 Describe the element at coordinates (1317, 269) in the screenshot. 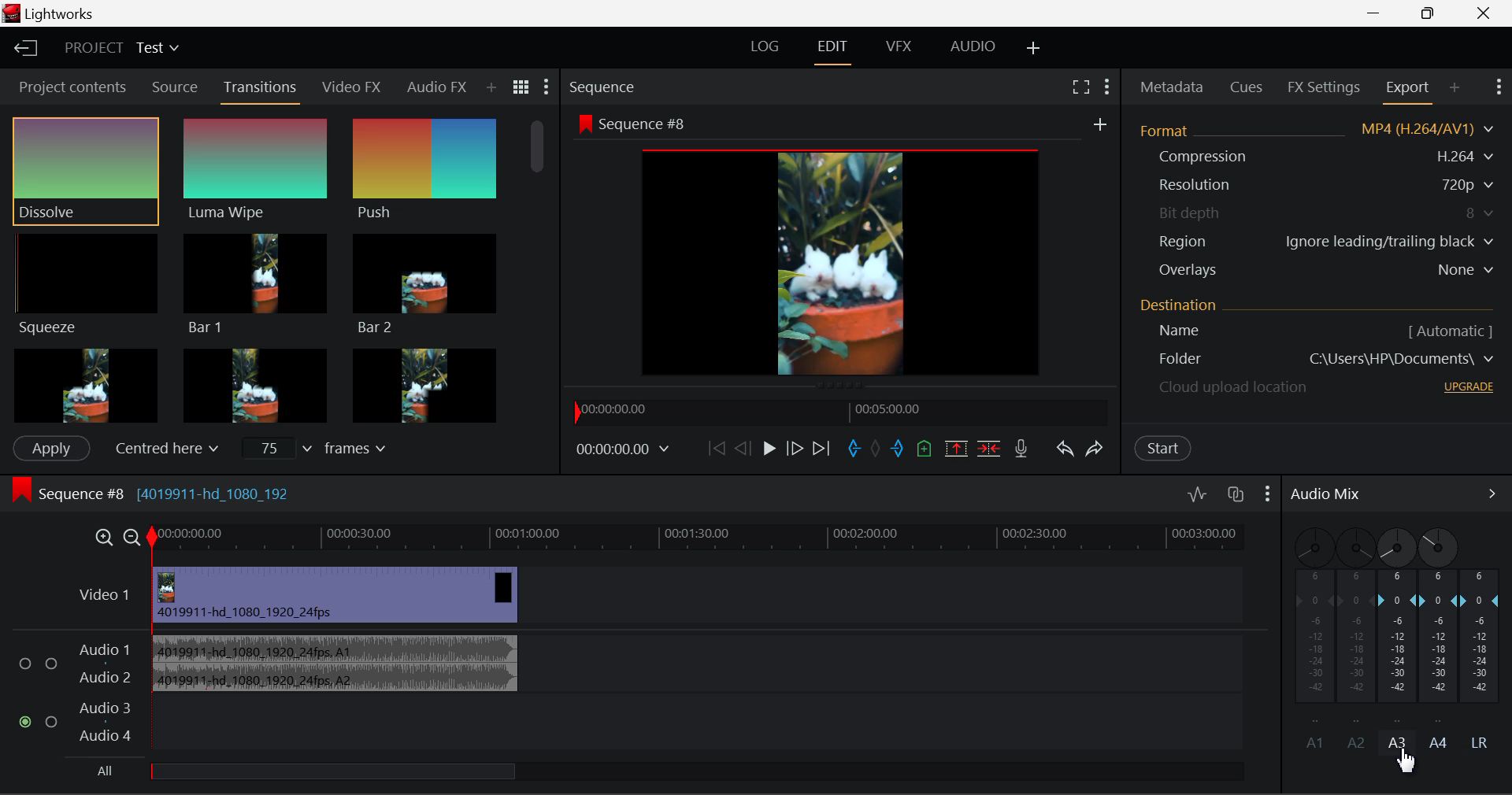

I see `Overlays` at that location.